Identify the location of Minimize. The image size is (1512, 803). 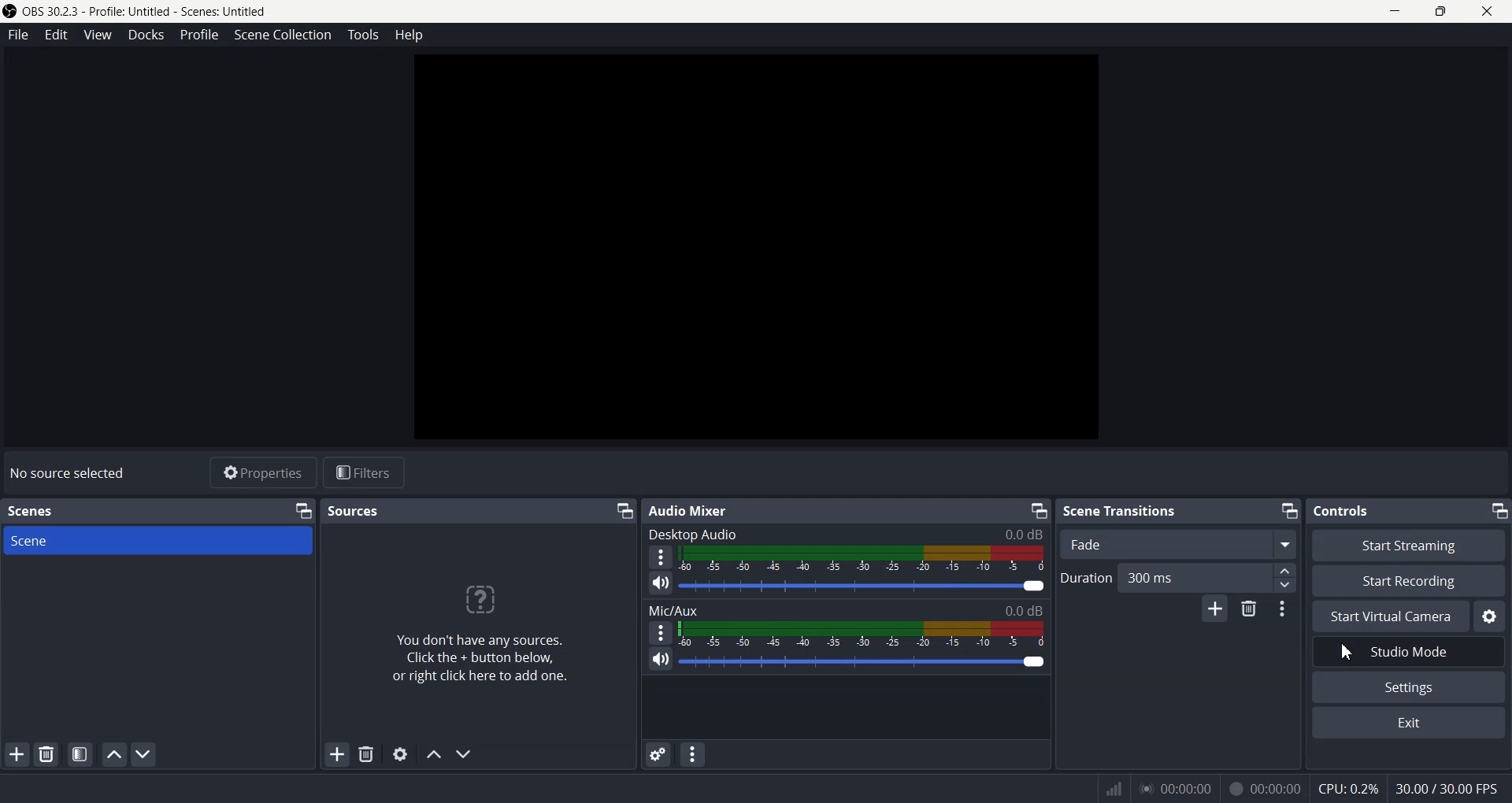
(622, 511).